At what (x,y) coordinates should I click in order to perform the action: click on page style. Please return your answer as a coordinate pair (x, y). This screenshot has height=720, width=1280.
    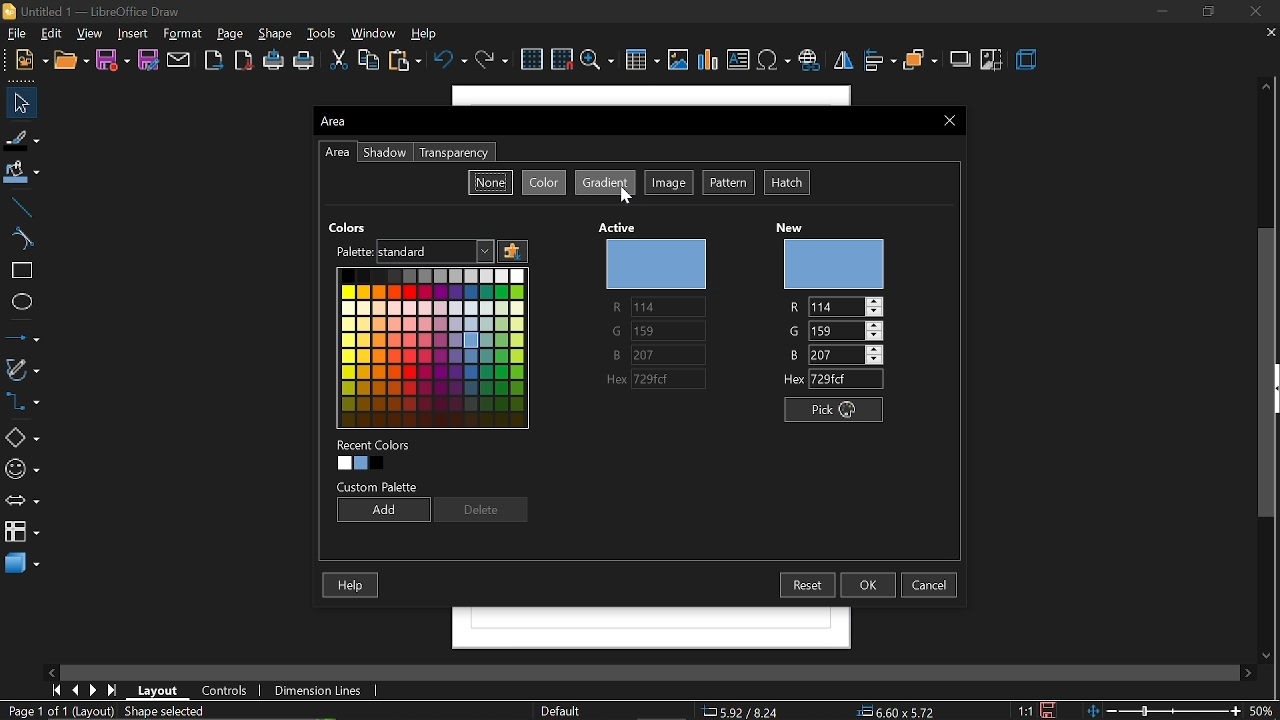
    Looking at the image, I should click on (559, 710).